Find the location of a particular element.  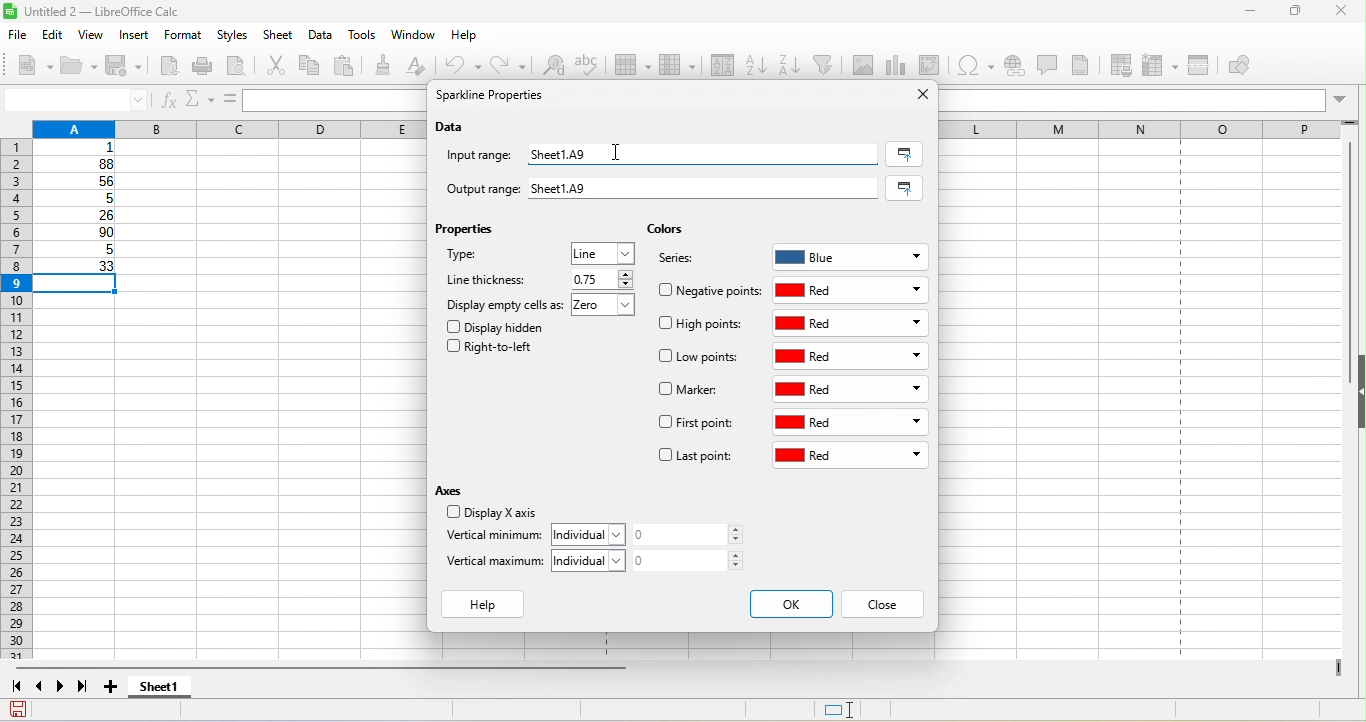

marker is located at coordinates (692, 391).